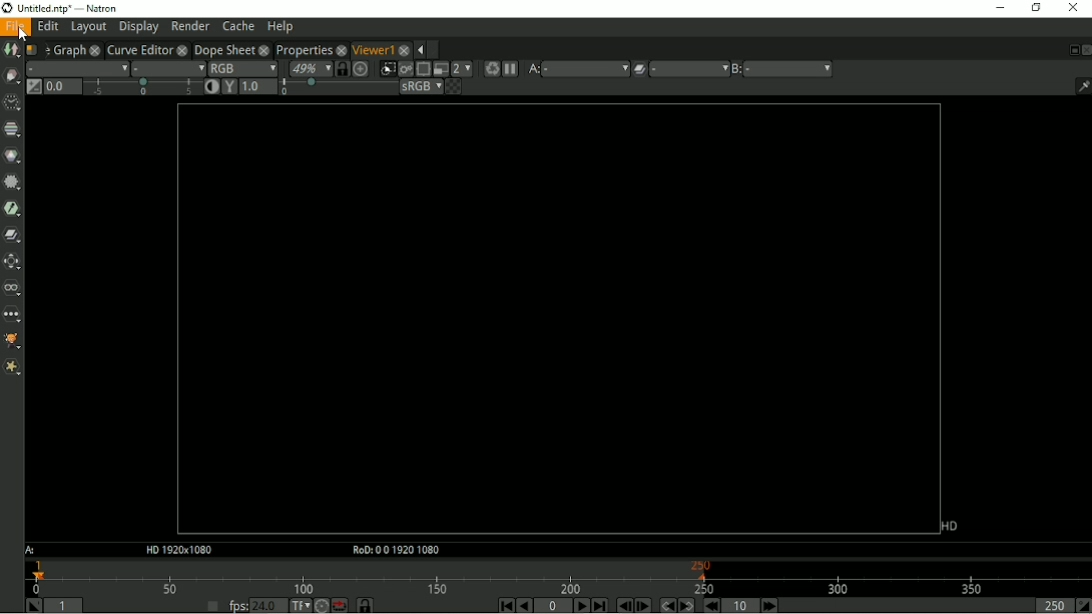 The width and height of the screenshot is (1092, 614). What do you see at coordinates (1085, 49) in the screenshot?
I see `Close` at bounding box center [1085, 49].